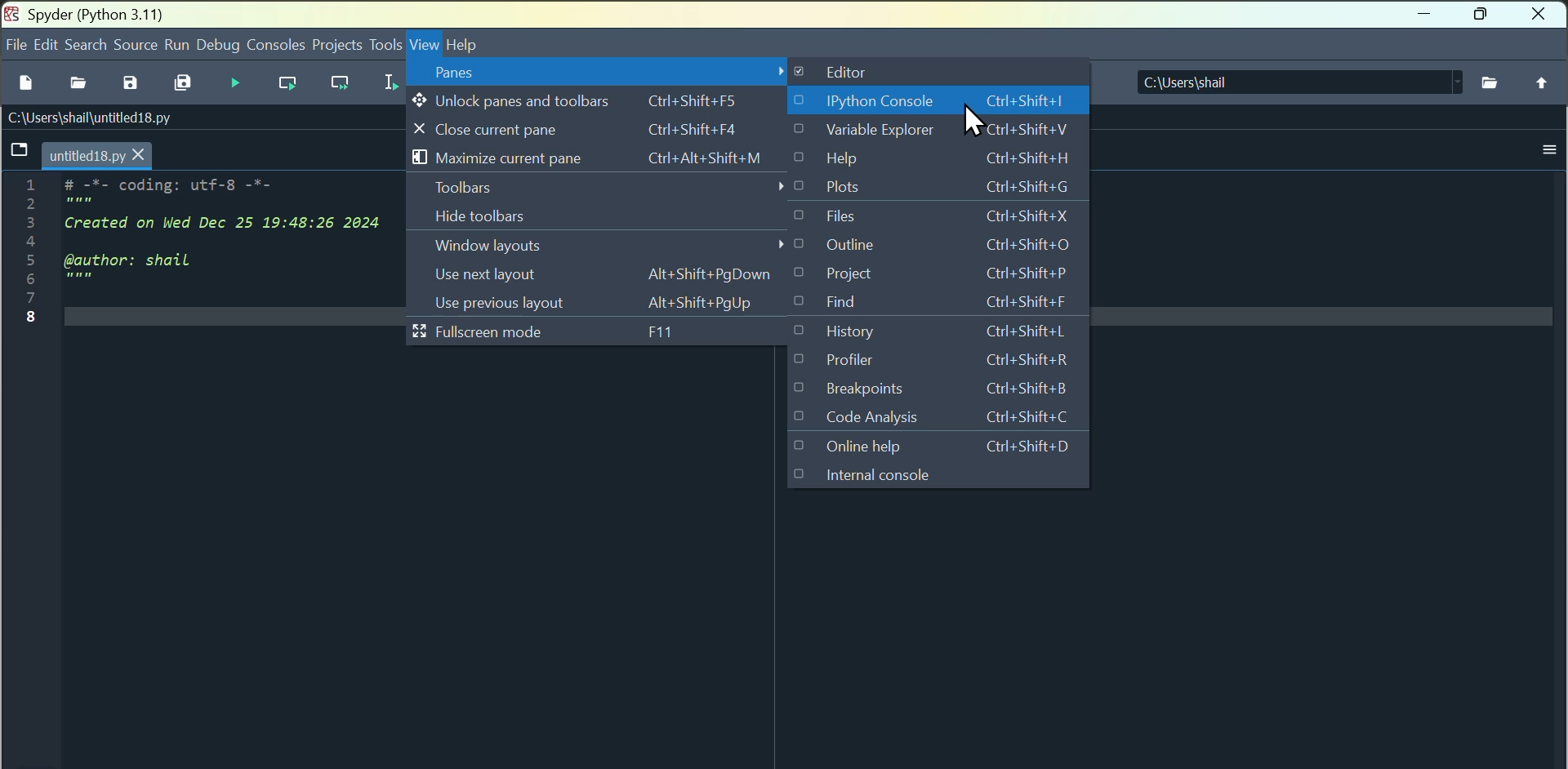 The width and height of the screenshot is (1568, 769). What do you see at coordinates (940, 216) in the screenshot?
I see `Files` at bounding box center [940, 216].